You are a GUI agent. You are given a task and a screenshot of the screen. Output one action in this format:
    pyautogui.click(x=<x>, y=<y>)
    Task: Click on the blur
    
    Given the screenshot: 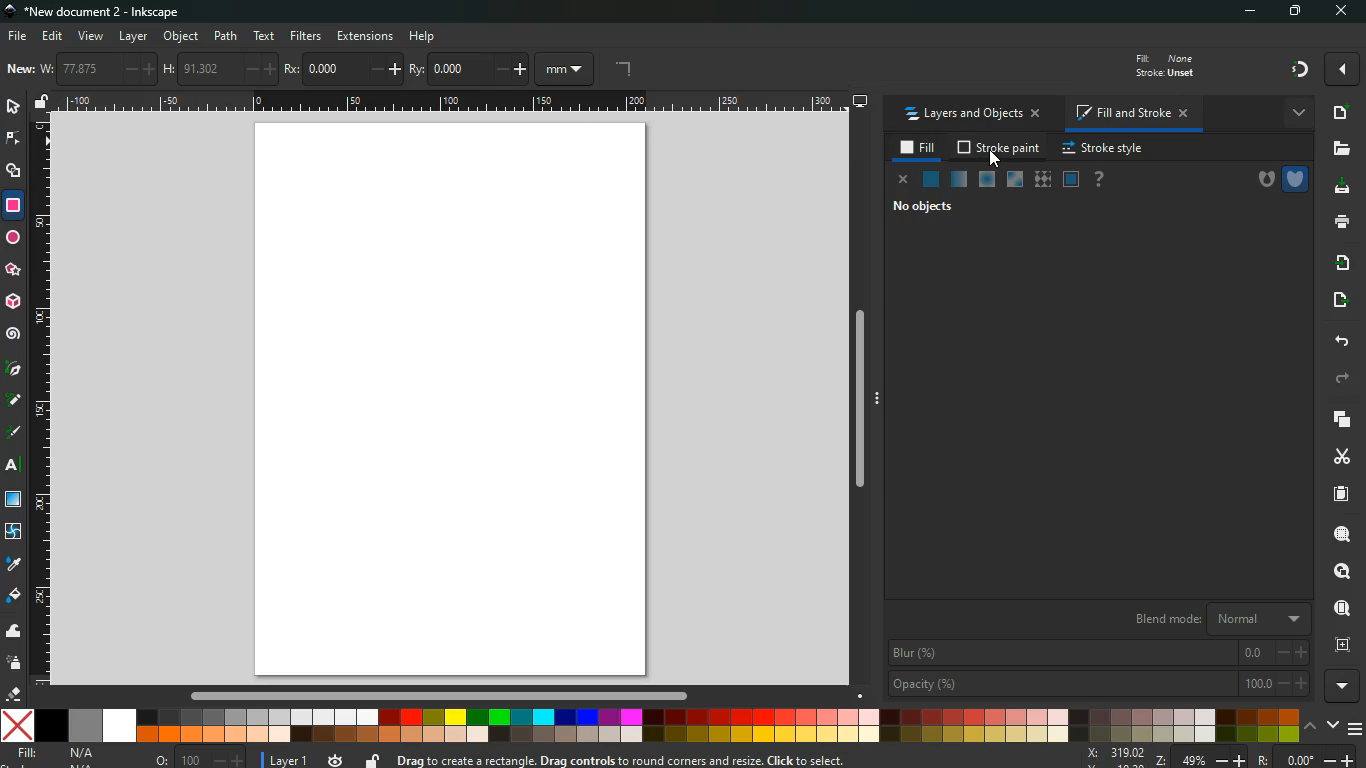 What is the action you would take?
    pyautogui.click(x=1095, y=652)
    